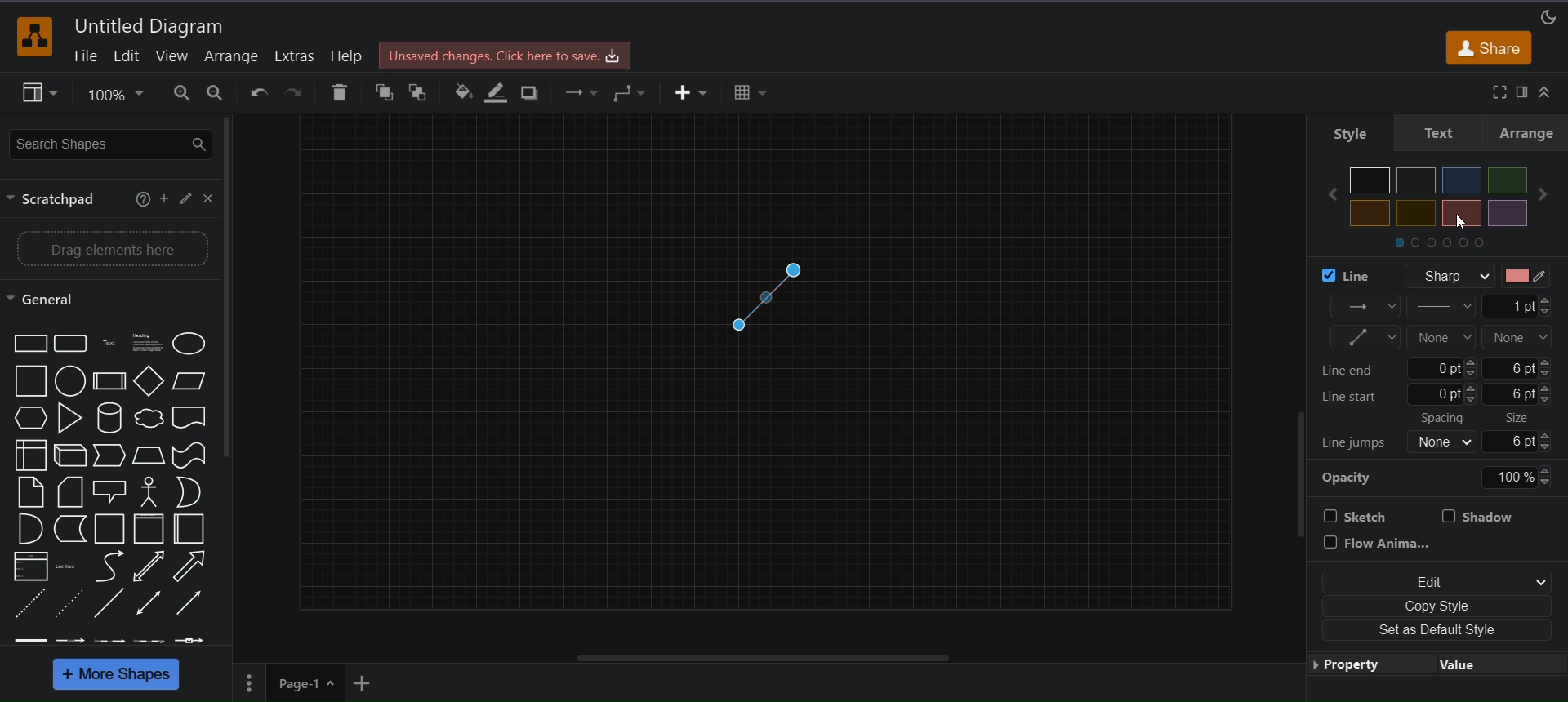  Describe the element at coordinates (247, 683) in the screenshot. I see `page` at that location.